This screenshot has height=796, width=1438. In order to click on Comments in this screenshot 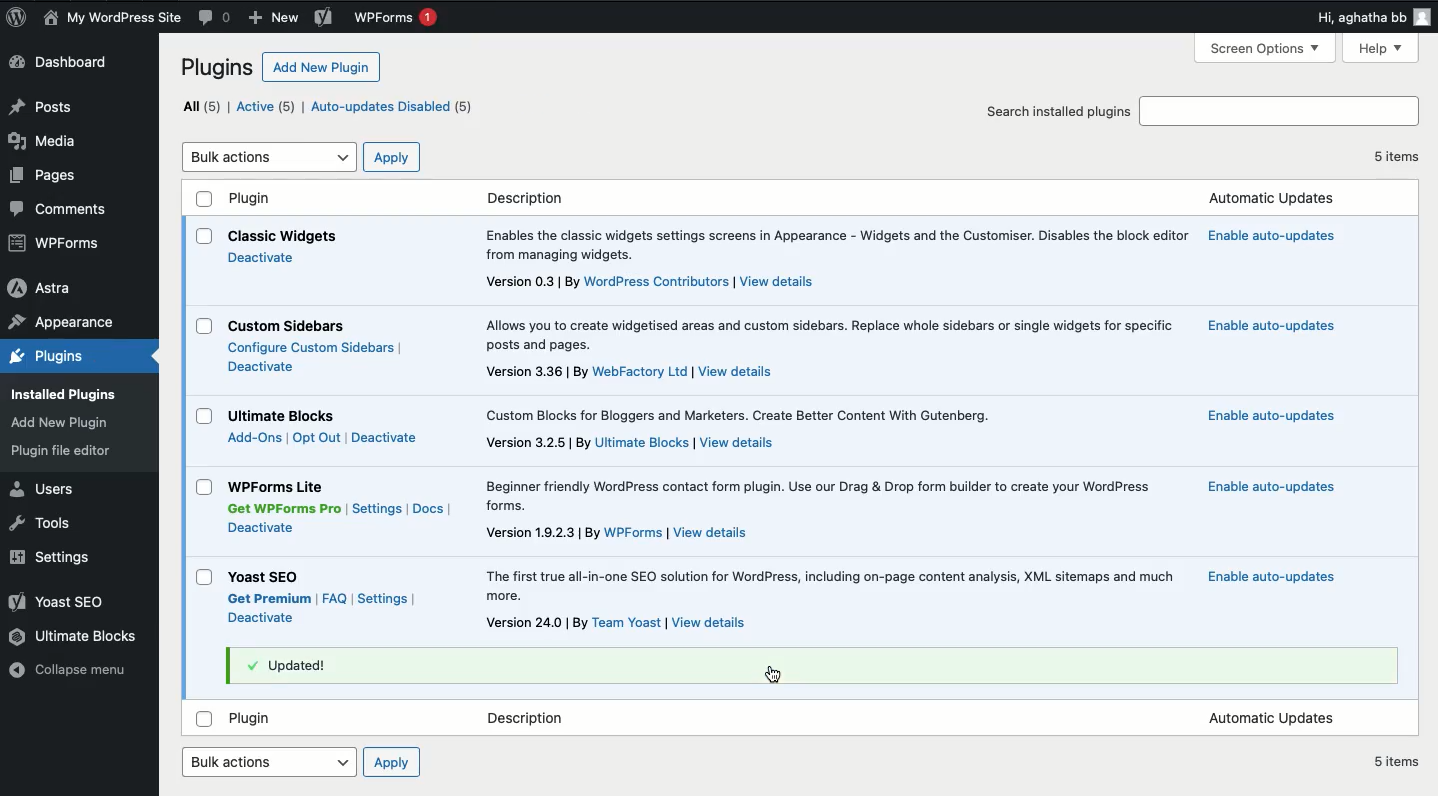, I will do `click(68, 211)`.